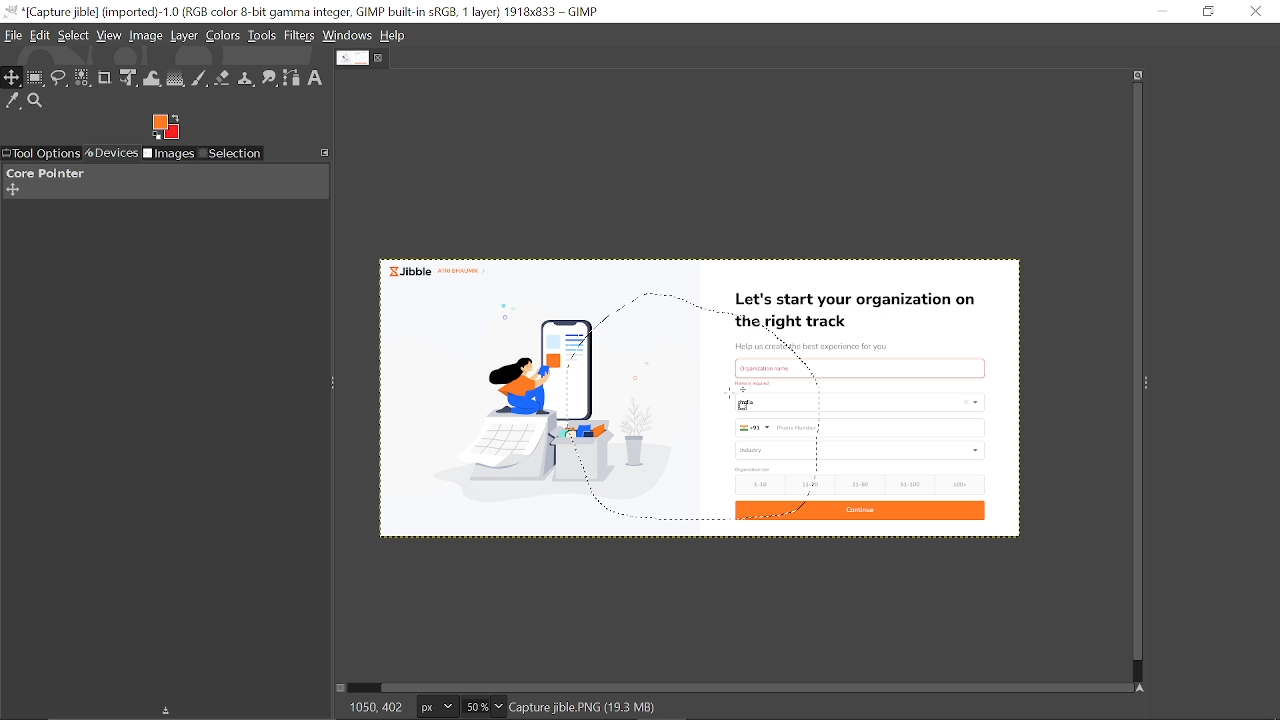  I want to click on Devices, so click(110, 154).